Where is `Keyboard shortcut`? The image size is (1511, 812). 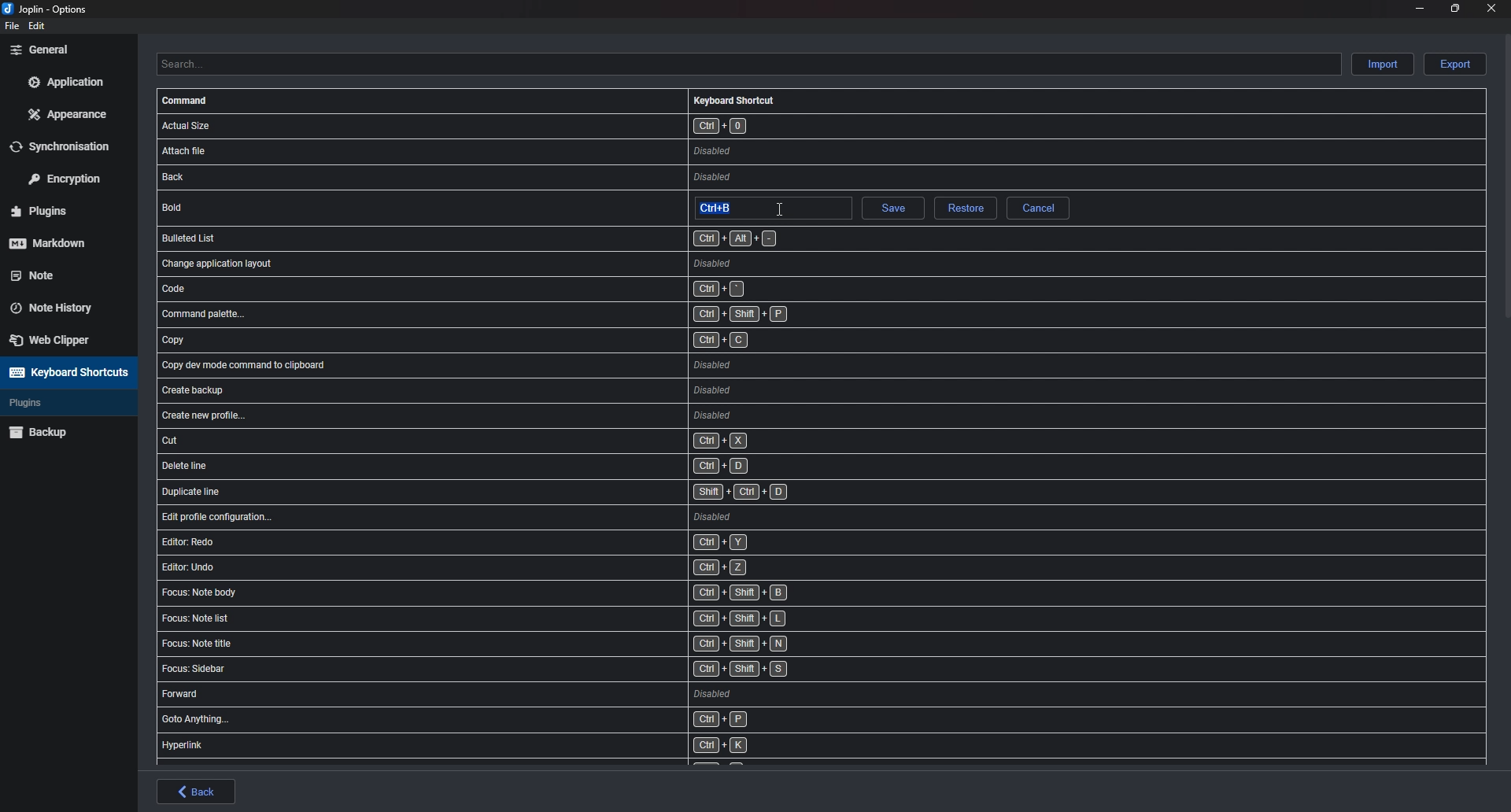
Keyboard shortcut is located at coordinates (734, 100).